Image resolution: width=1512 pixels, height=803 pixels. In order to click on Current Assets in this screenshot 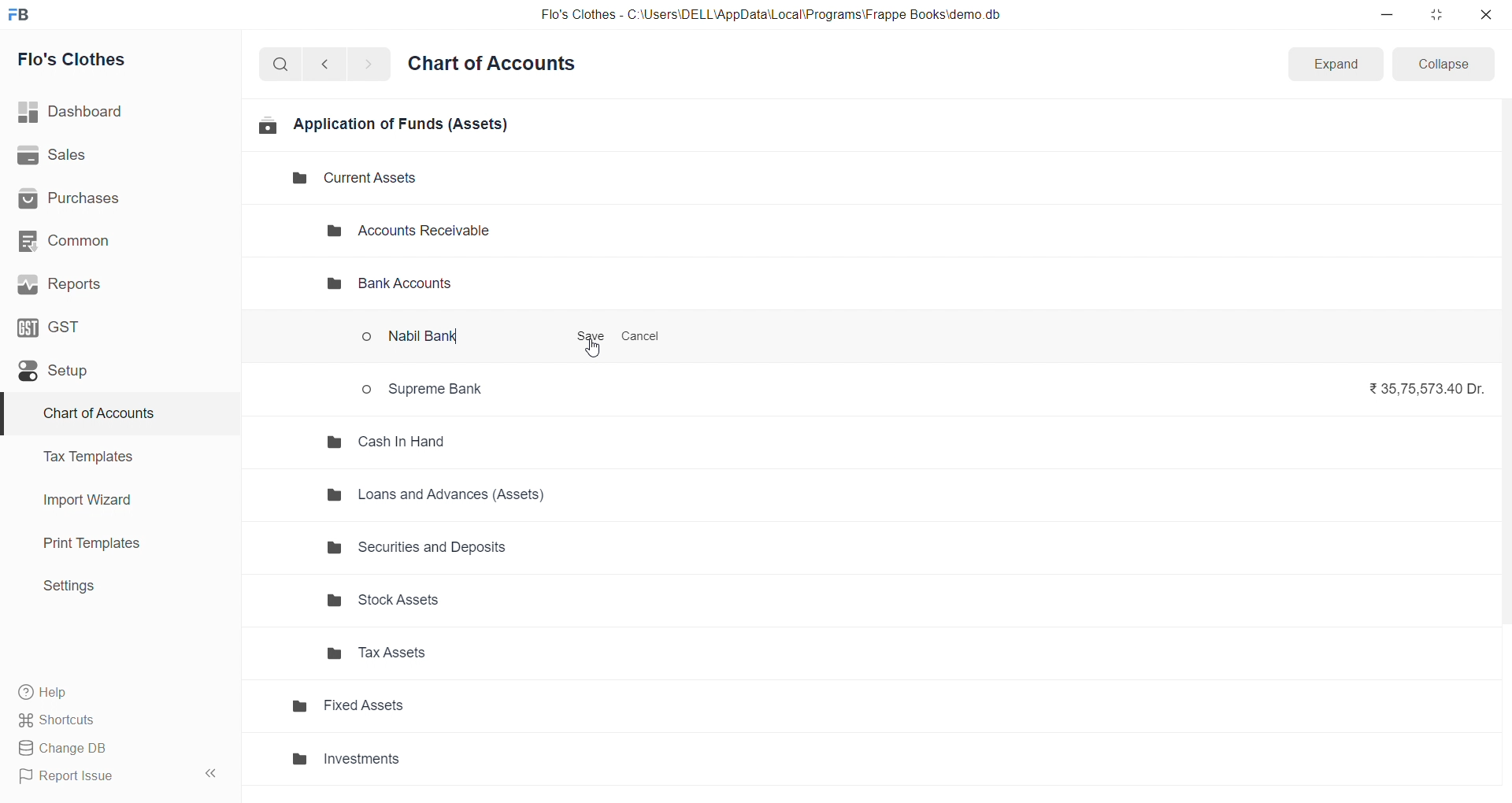, I will do `click(342, 179)`.